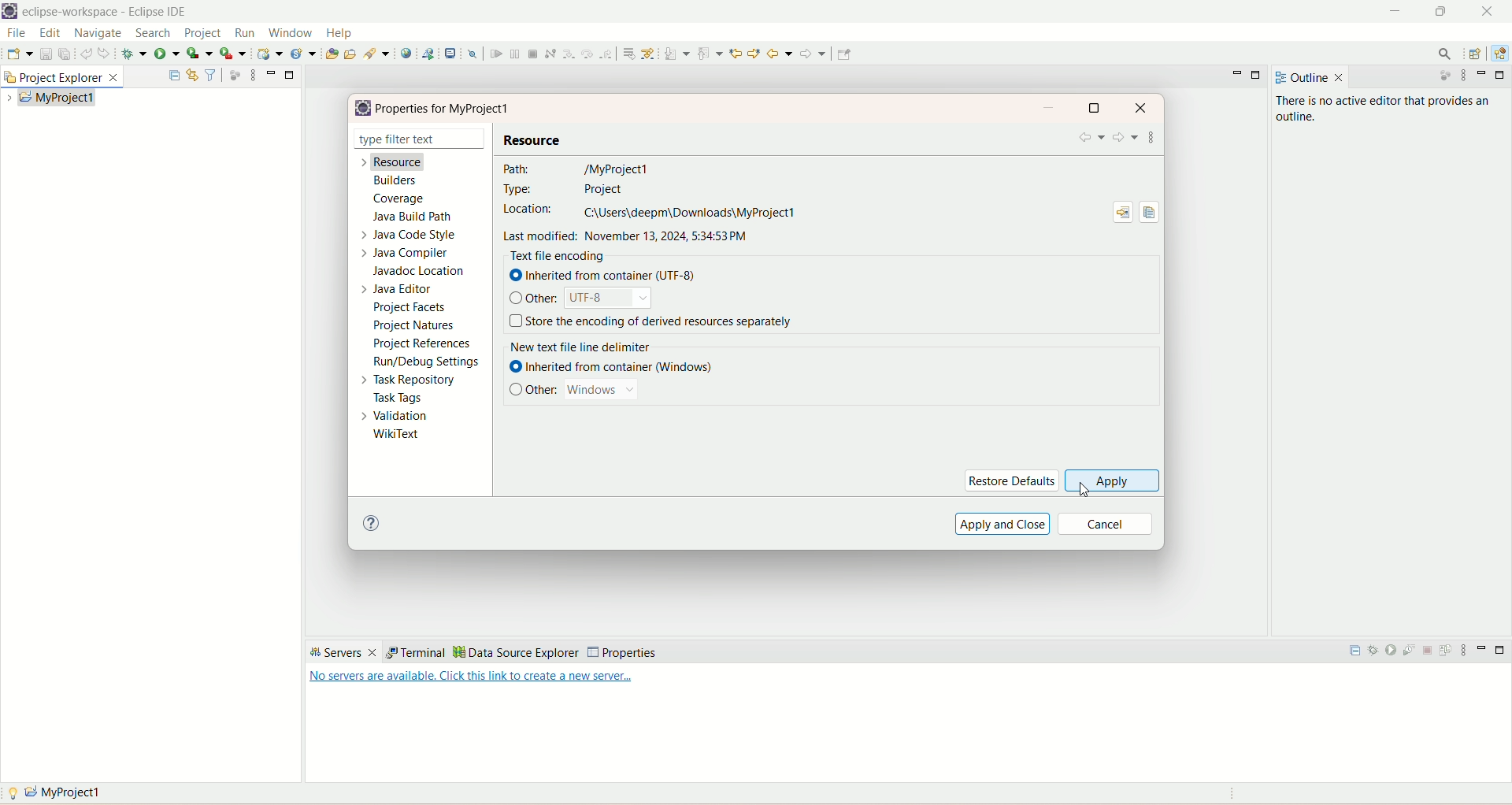 The width and height of the screenshot is (1512, 805). What do you see at coordinates (15, 34) in the screenshot?
I see `file` at bounding box center [15, 34].